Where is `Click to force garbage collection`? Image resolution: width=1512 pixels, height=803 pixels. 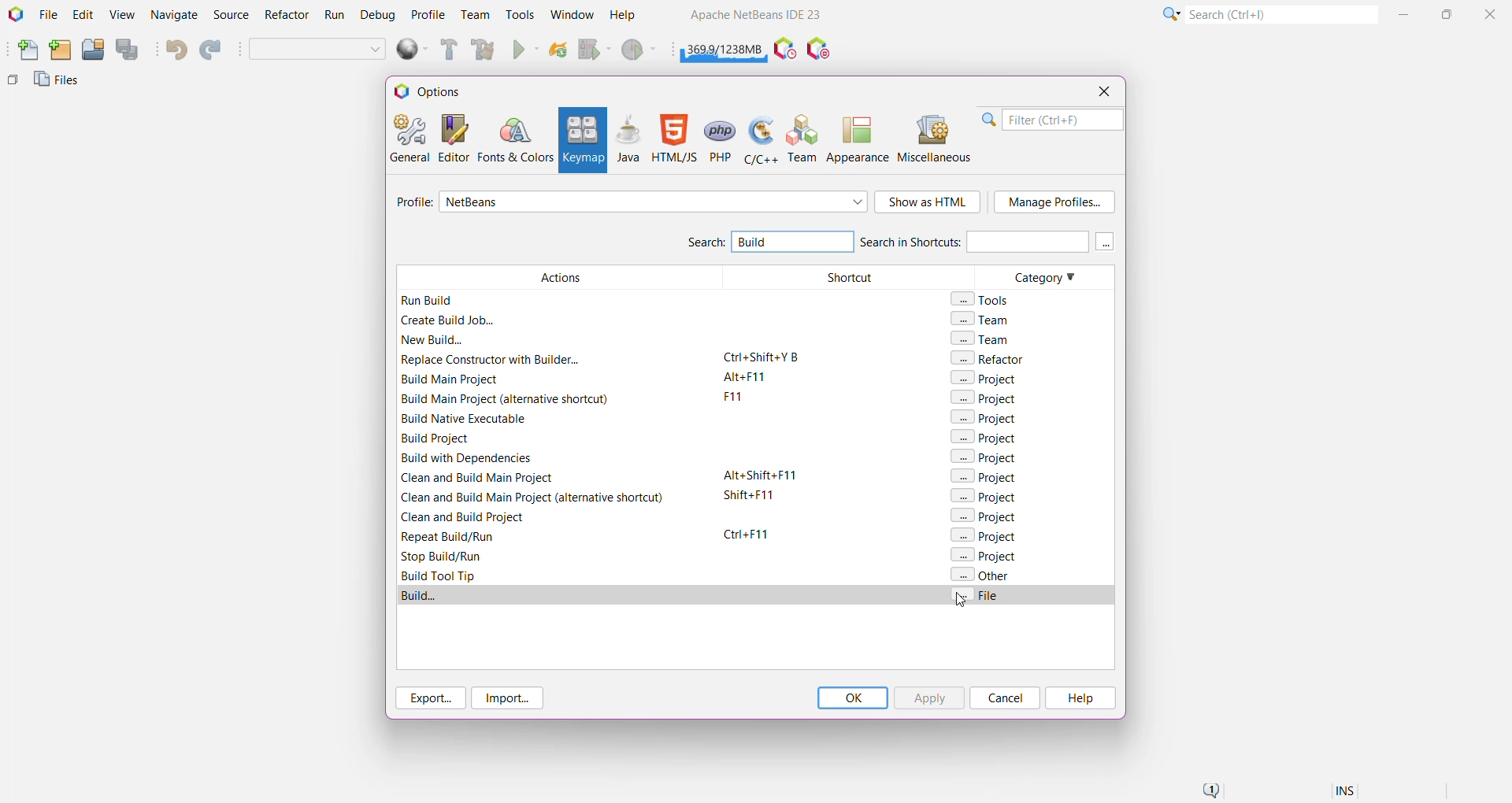 Click to force garbage collection is located at coordinates (724, 47).